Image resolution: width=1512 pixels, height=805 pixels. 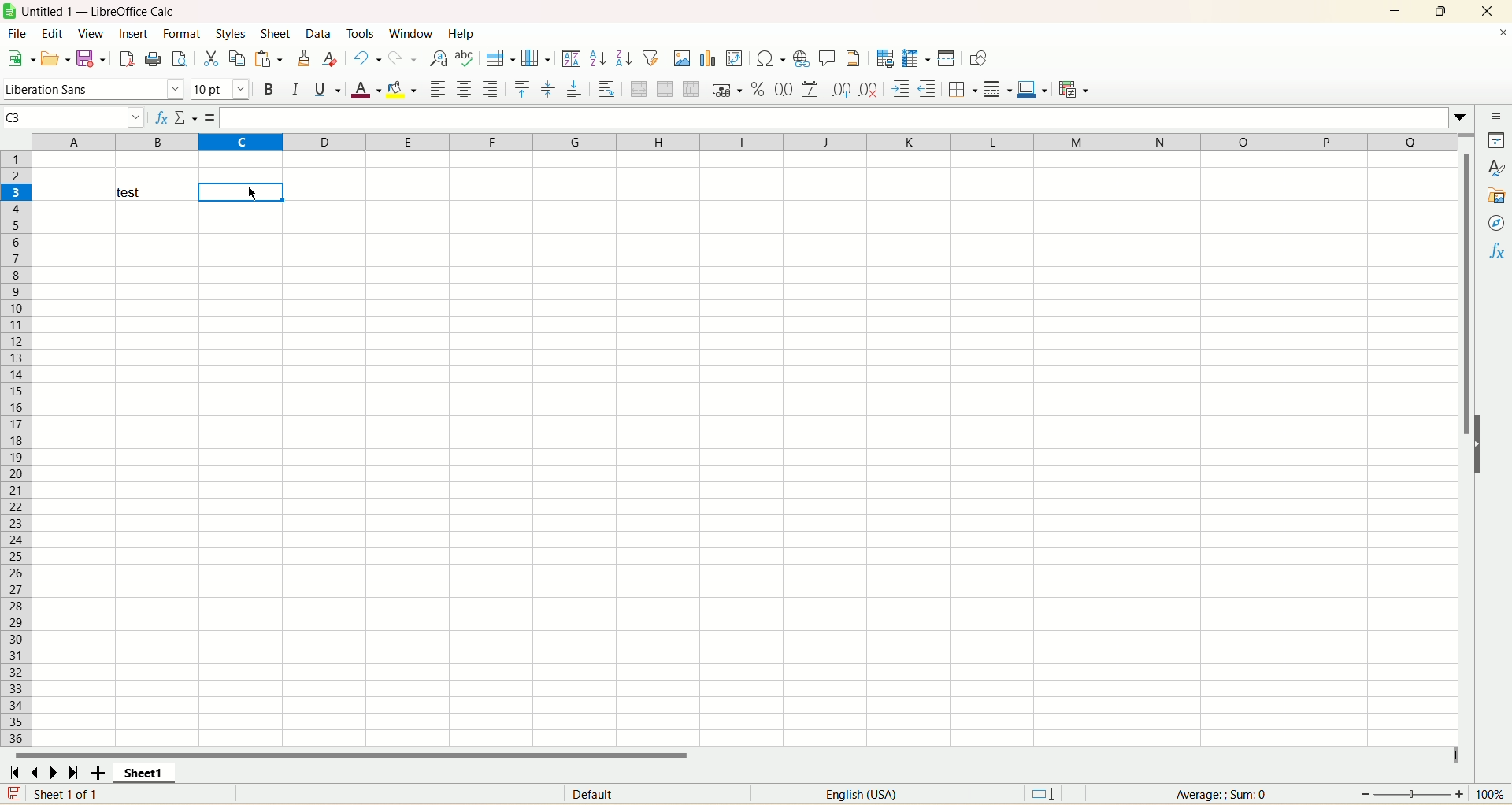 I want to click on align top, so click(x=522, y=89).